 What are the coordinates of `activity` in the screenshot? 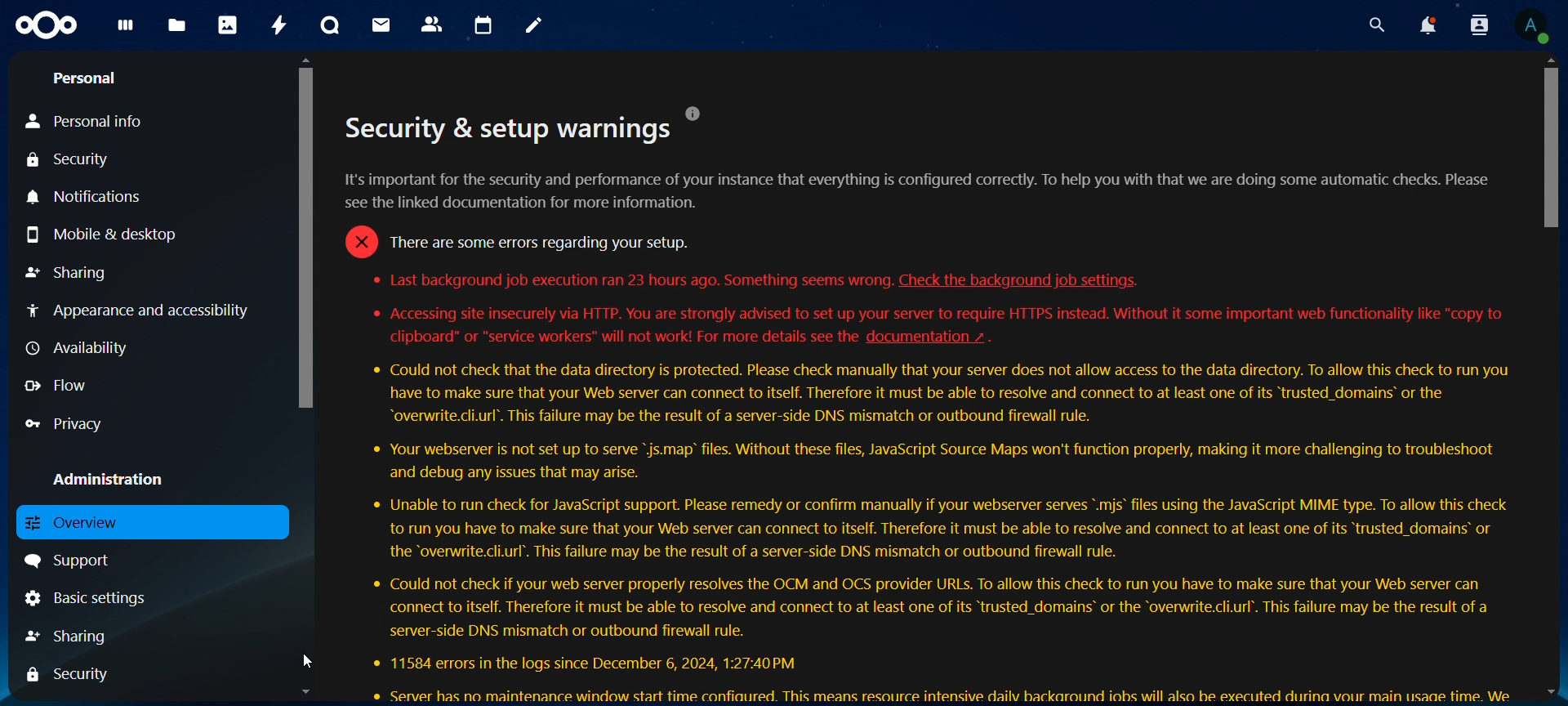 It's located at (278, 24).